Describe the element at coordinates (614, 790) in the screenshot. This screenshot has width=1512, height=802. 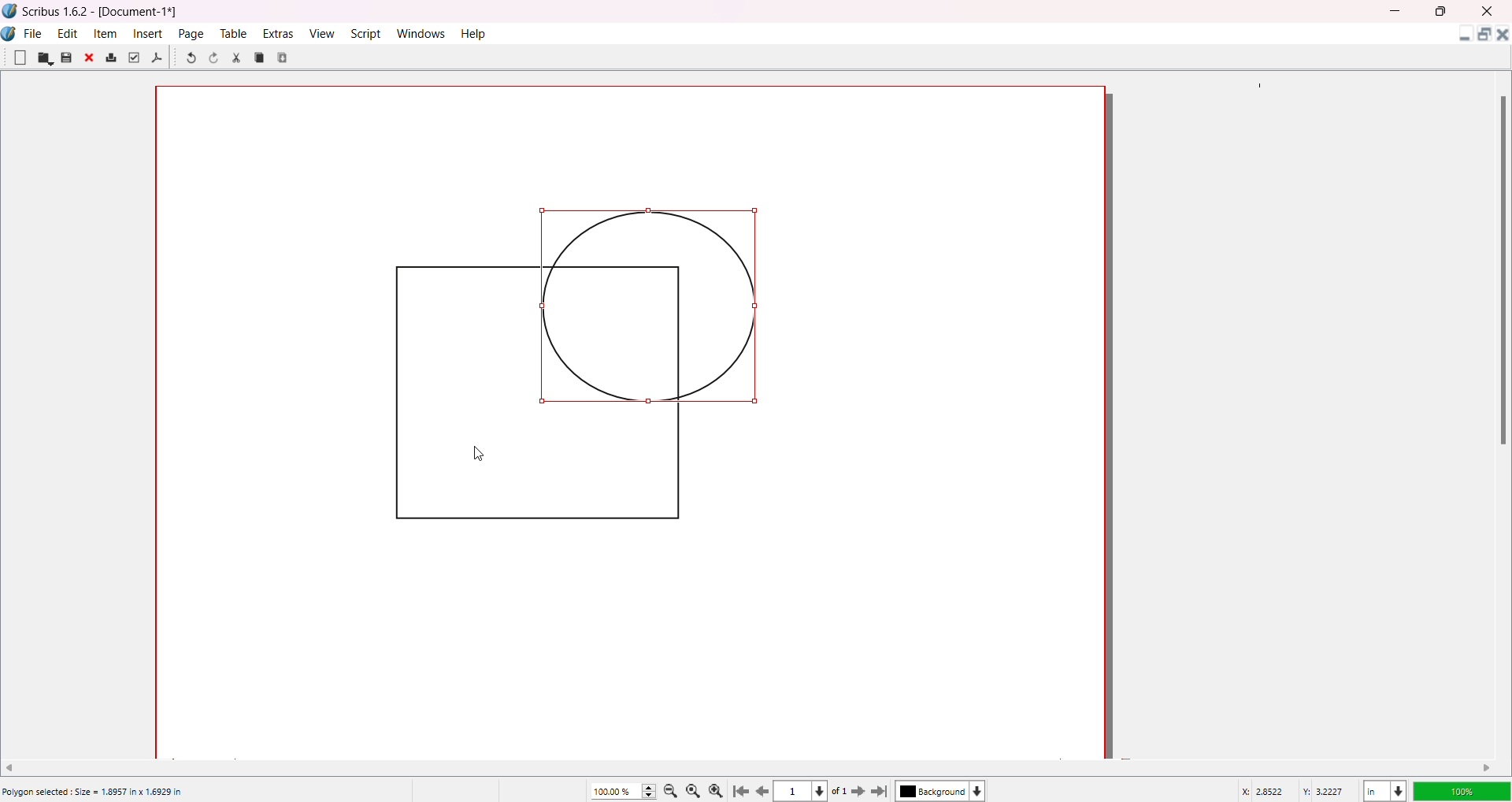
I see `Zoom percentage` at that location.